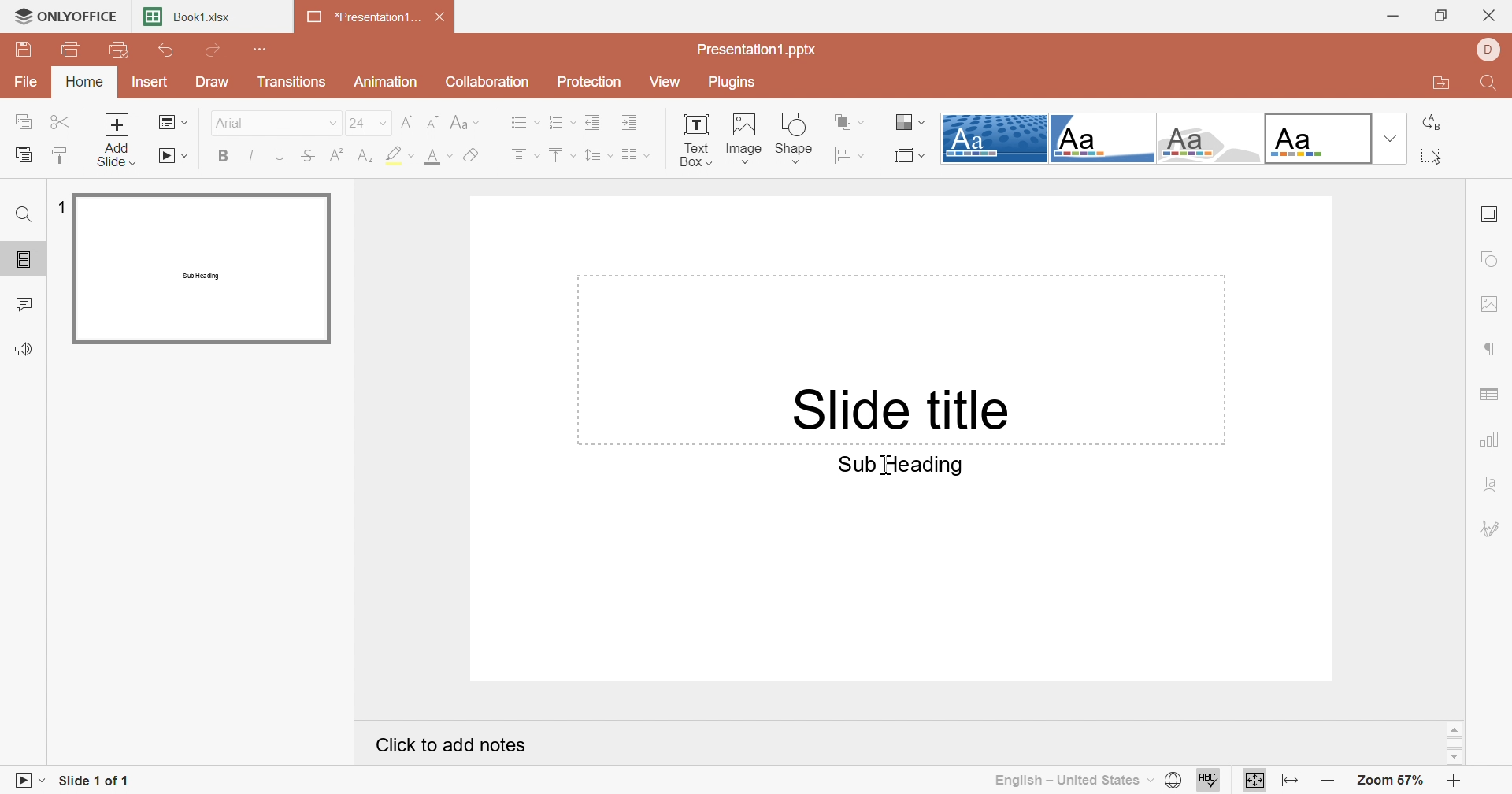 This screenshot has height=794, width=1512. I want to click on Italic, so click(254, 154).